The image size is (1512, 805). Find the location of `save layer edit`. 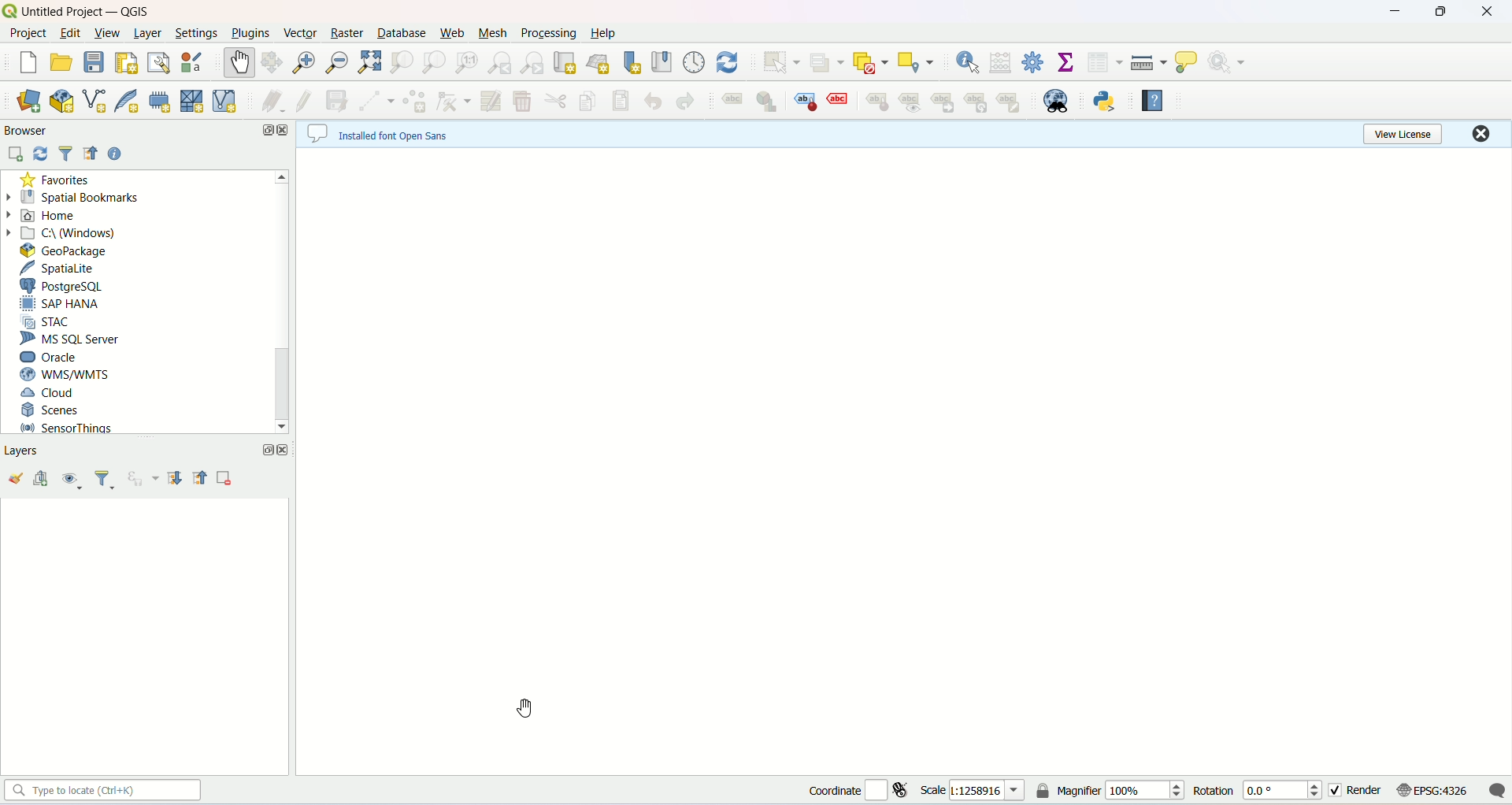

save layer edit is located at coordinates (336, 102).